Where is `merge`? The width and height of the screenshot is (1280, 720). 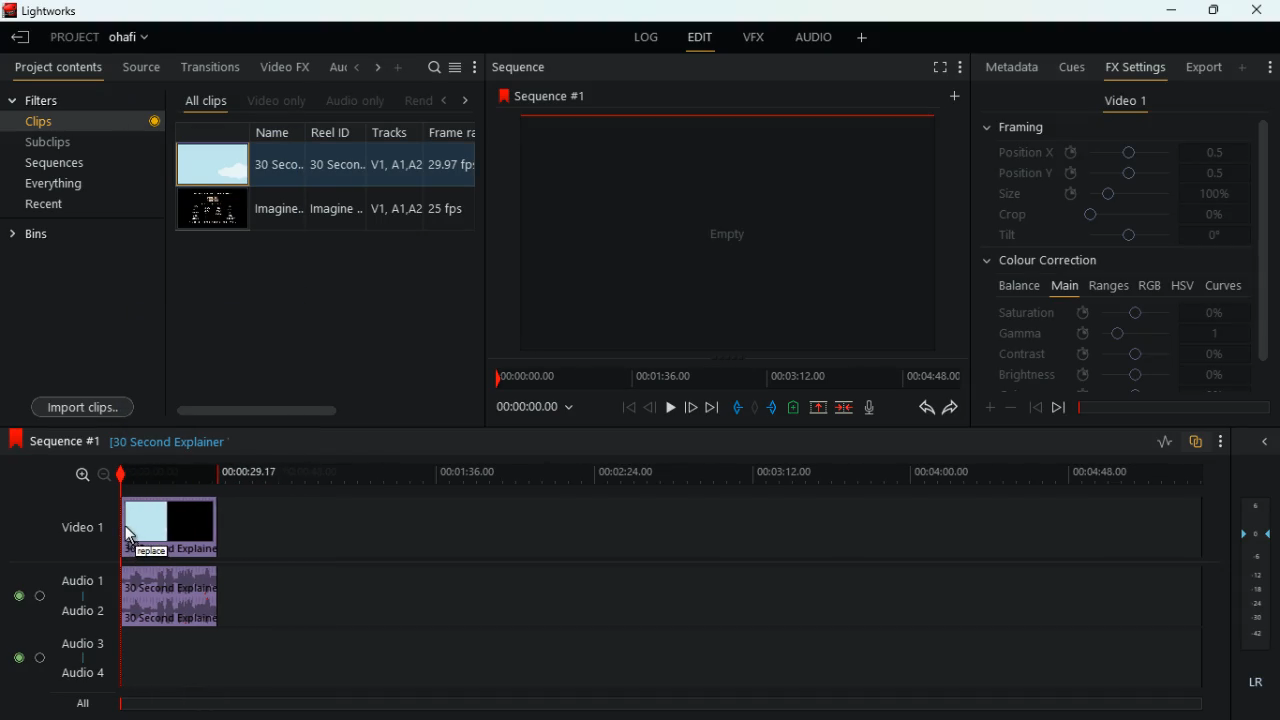
merge is located at coordinates (847, 409).